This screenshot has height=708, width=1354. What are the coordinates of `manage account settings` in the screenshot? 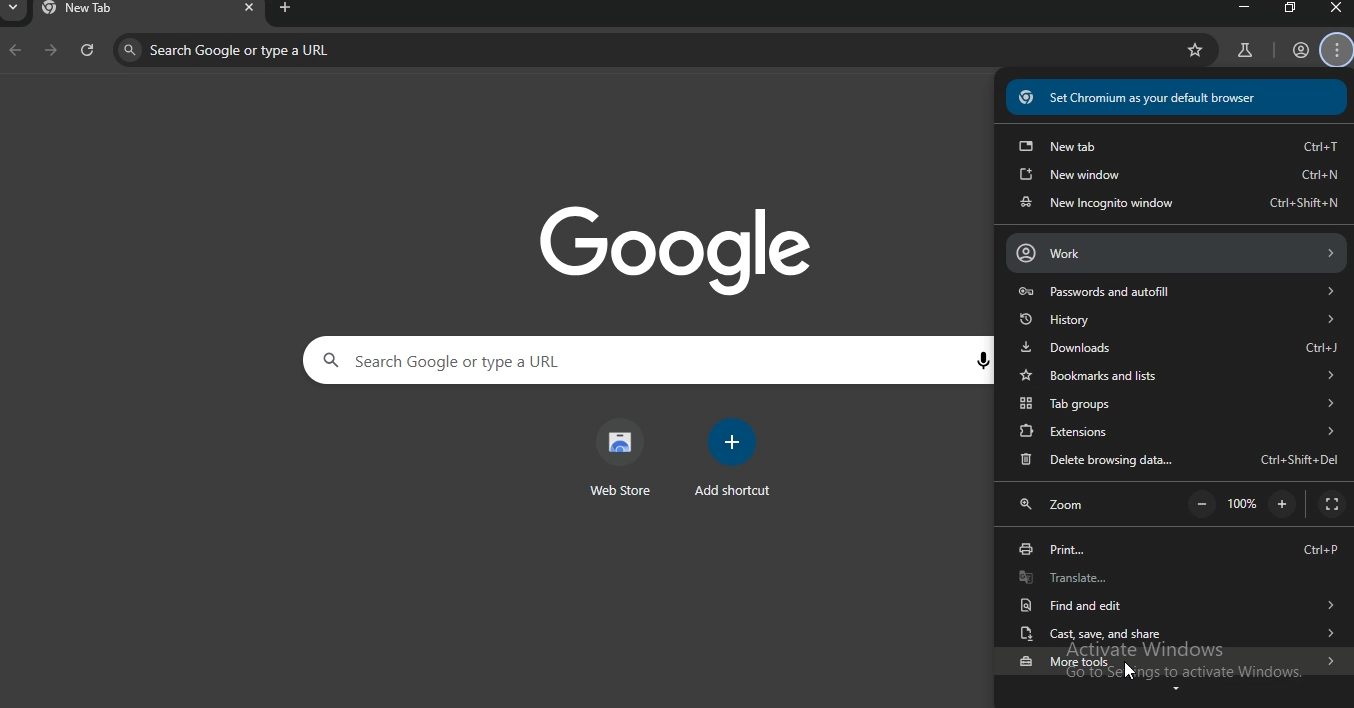 It's located at (1338, 51).